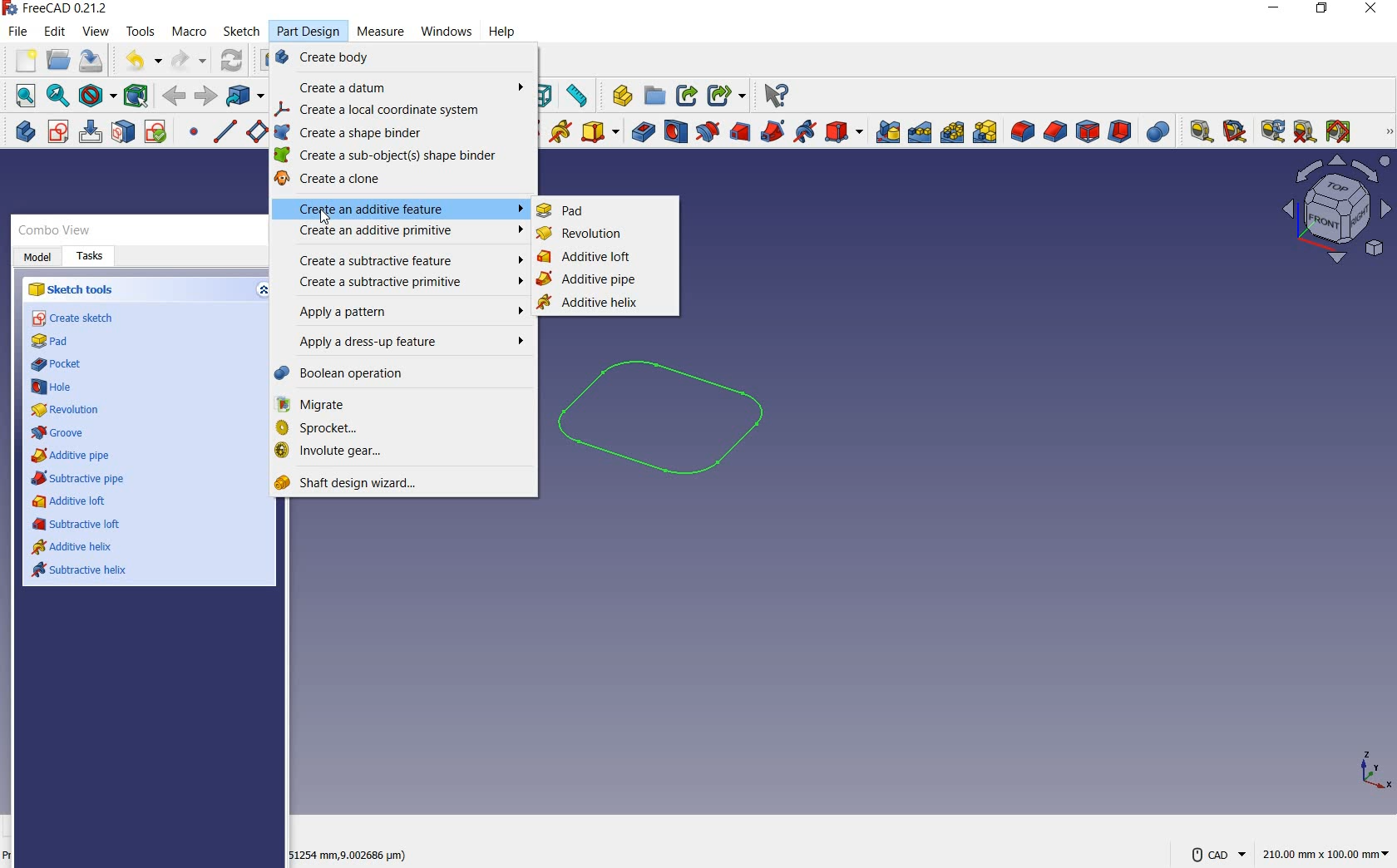  Describe the element at coordinates (57, 132) in the screenshot. I see `create sketch` at that location.